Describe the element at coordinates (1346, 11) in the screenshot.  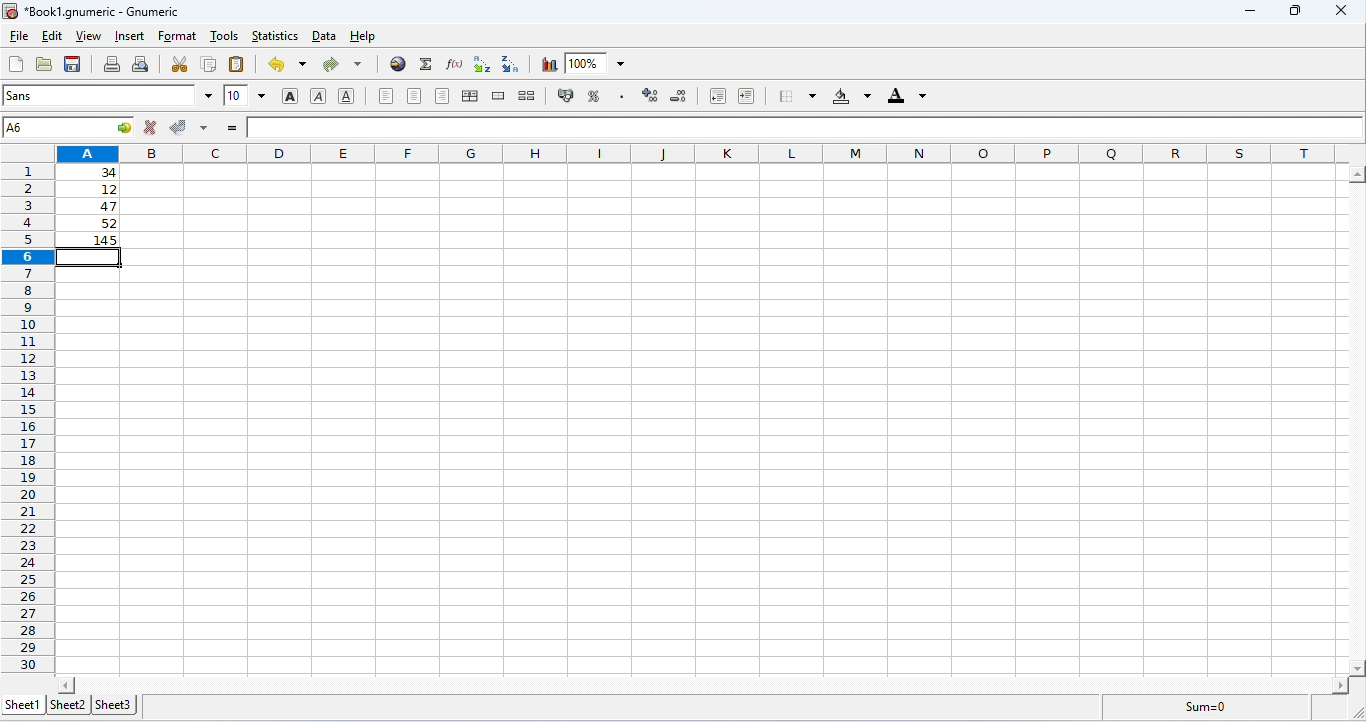
I see `close` at that location.